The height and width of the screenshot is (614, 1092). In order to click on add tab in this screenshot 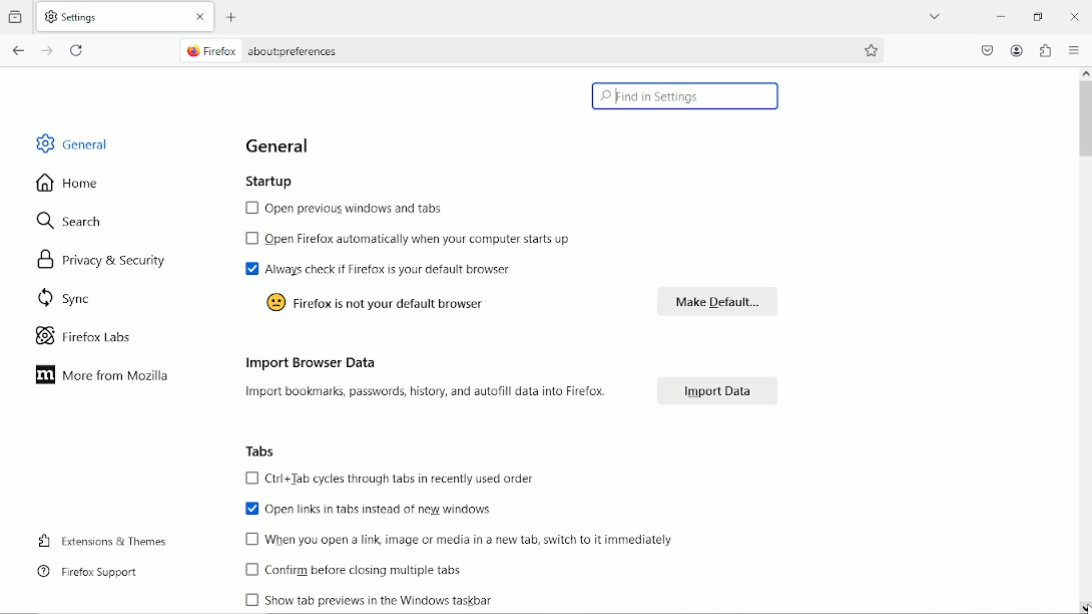, I will do `click(238, 14)`.